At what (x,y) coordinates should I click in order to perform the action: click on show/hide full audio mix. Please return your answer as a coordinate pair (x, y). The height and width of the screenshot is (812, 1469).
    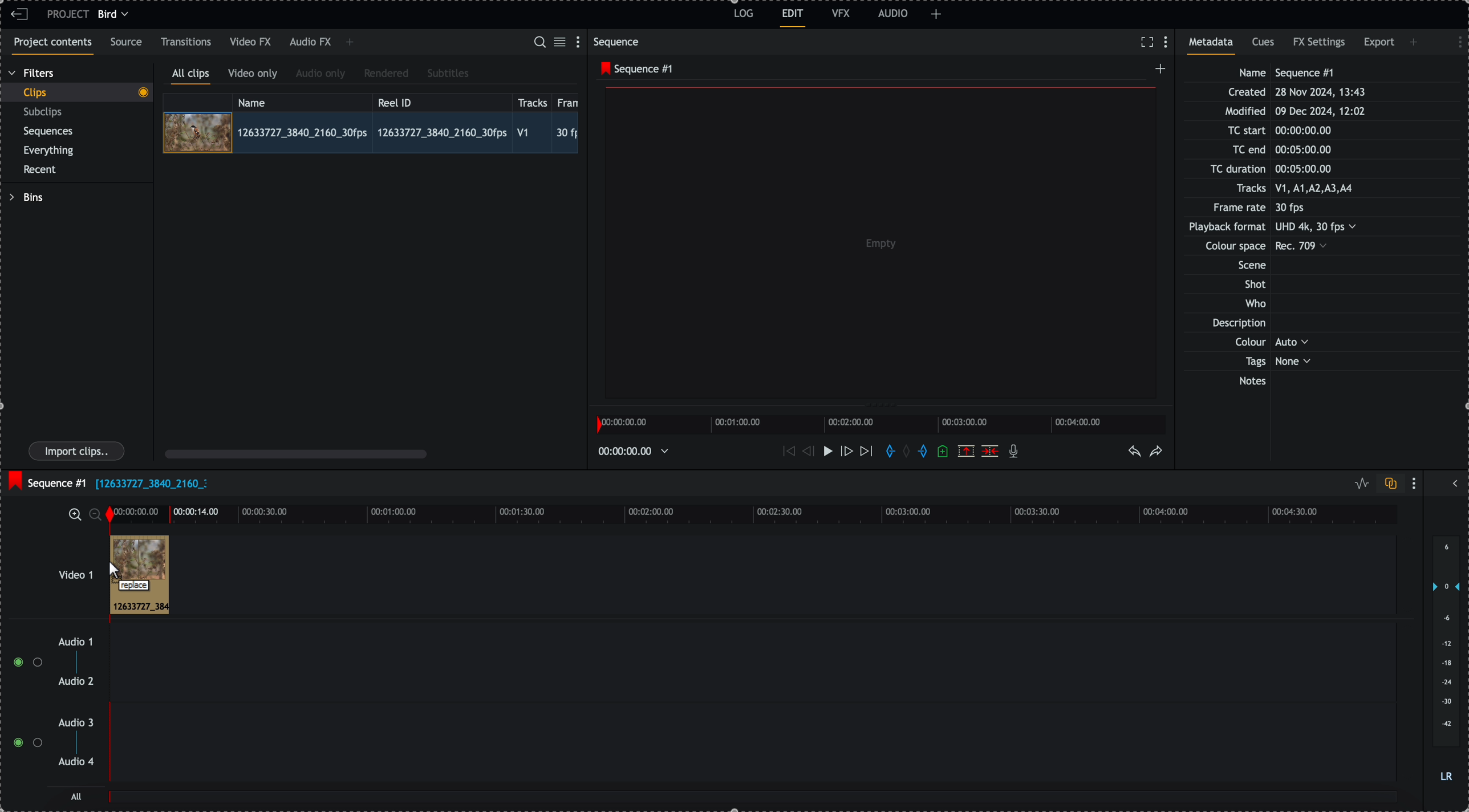
    Looking at the image, I should click on (1454, 482).